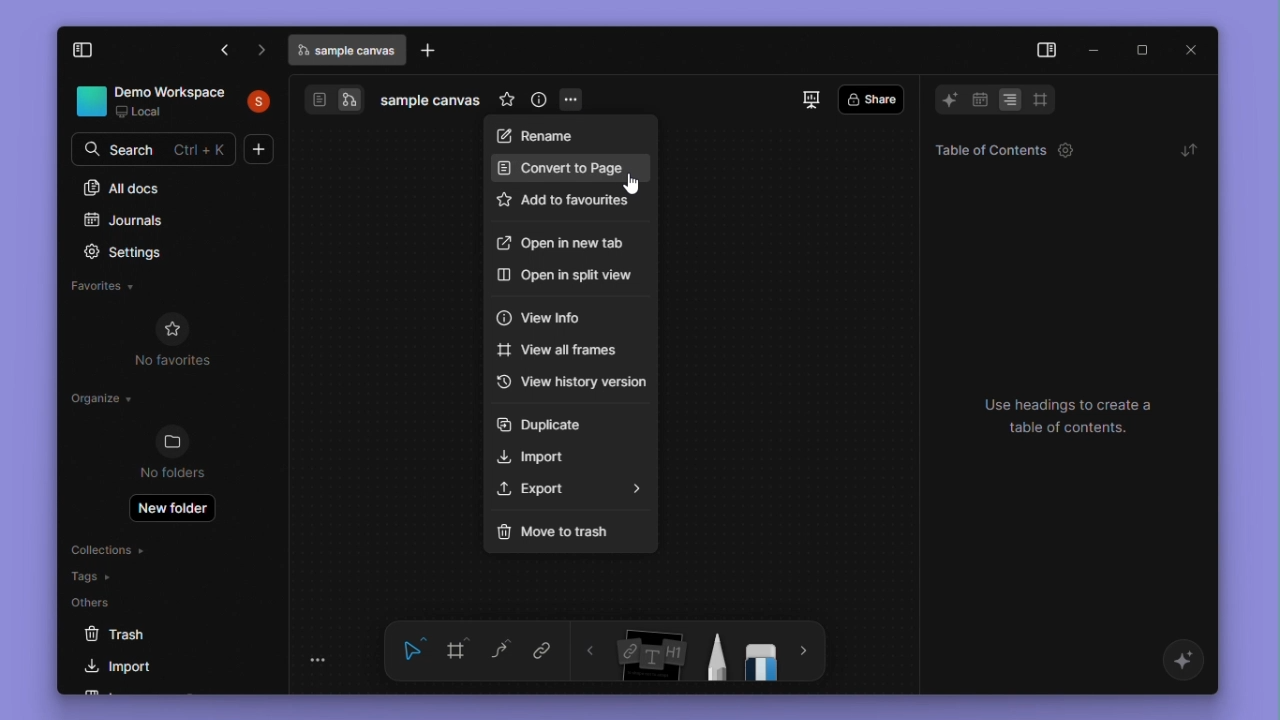  Describe the element at coordinates (1011, 100) in the screenshot. I see `list` at that location.